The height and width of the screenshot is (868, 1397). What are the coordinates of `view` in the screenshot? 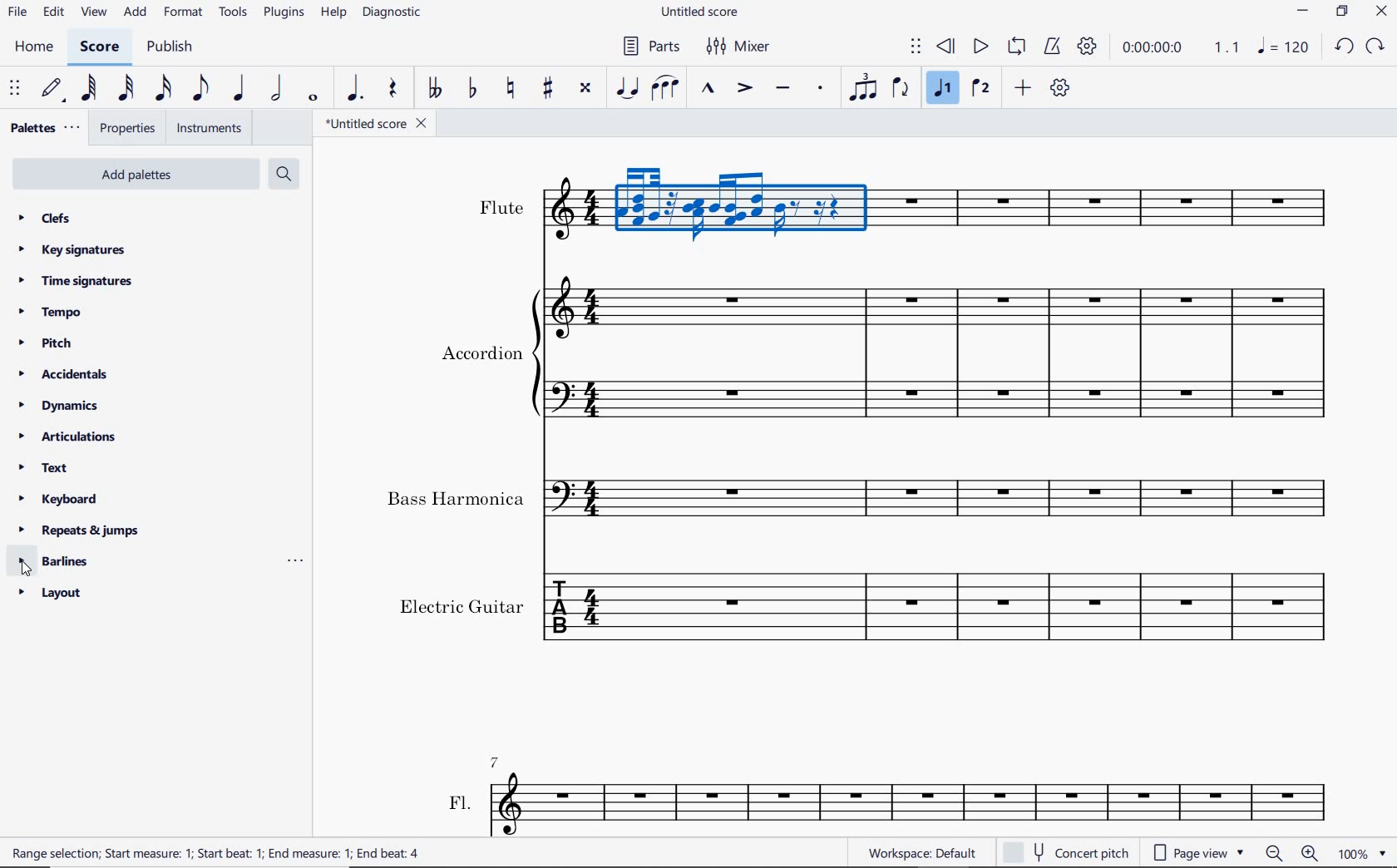 It's located at (94, 13).